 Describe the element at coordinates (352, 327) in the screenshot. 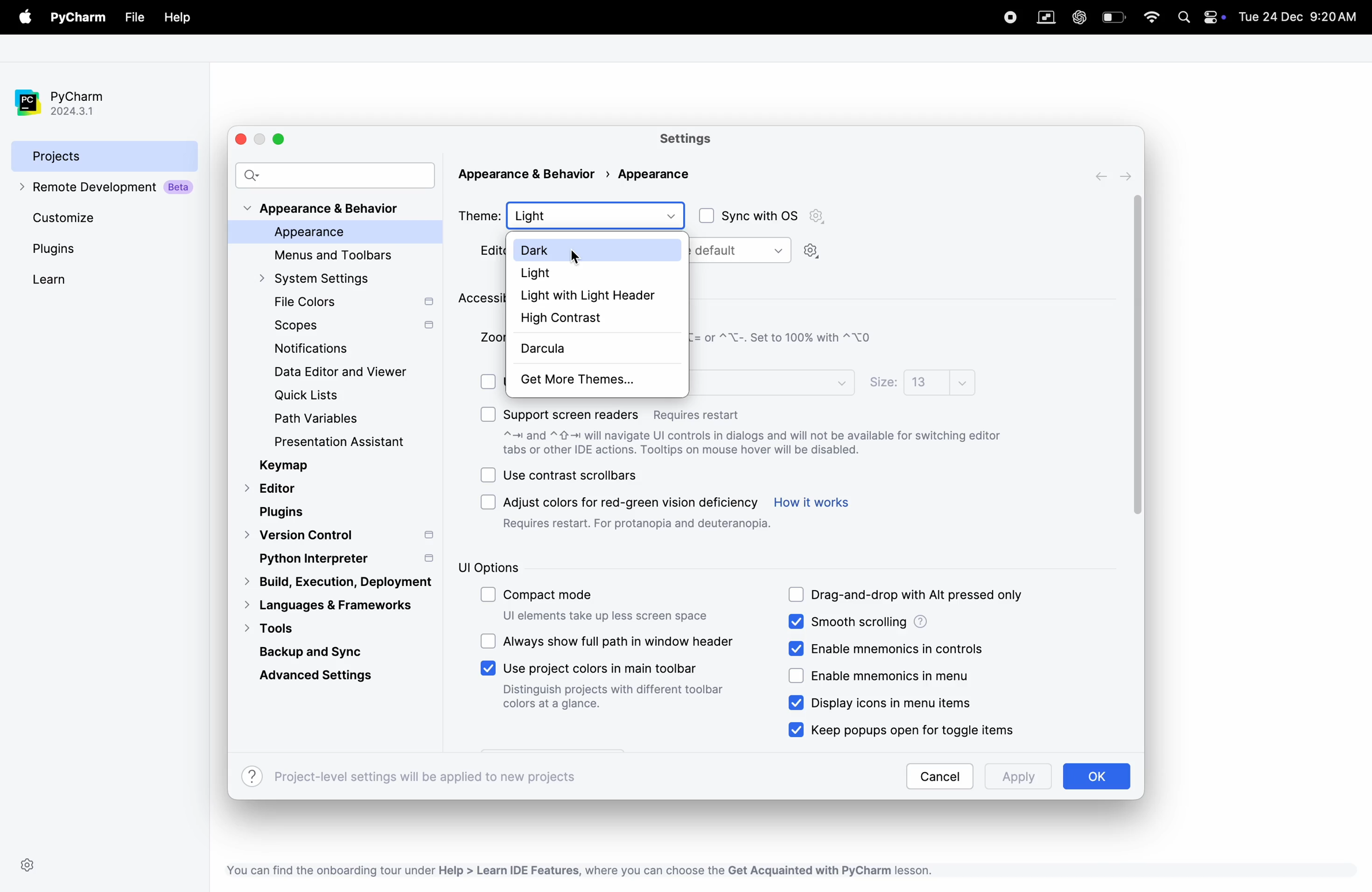

I see `scopes` at that location.